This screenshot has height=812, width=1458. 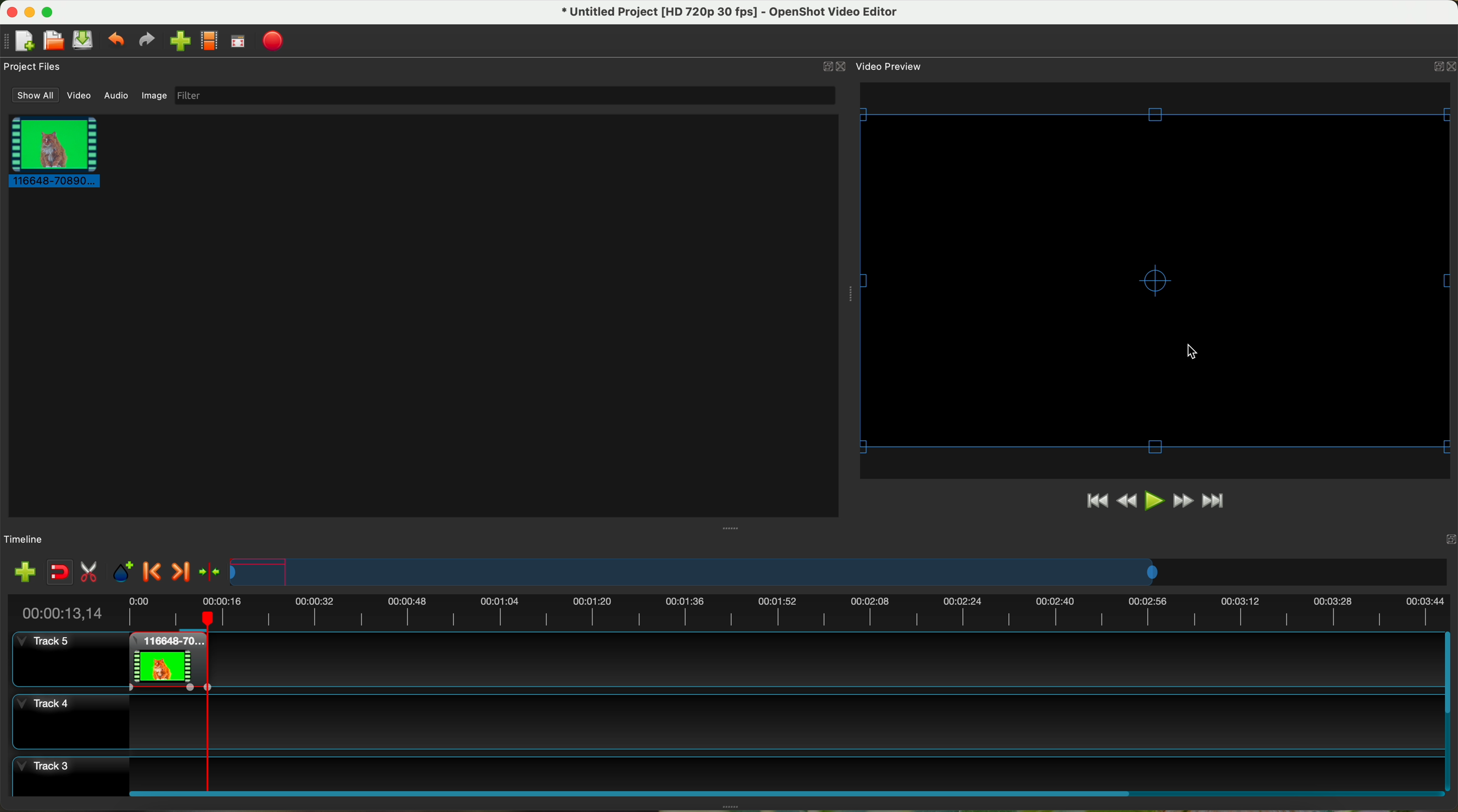 I want to click on enable razor, so click(x=89, y=573).